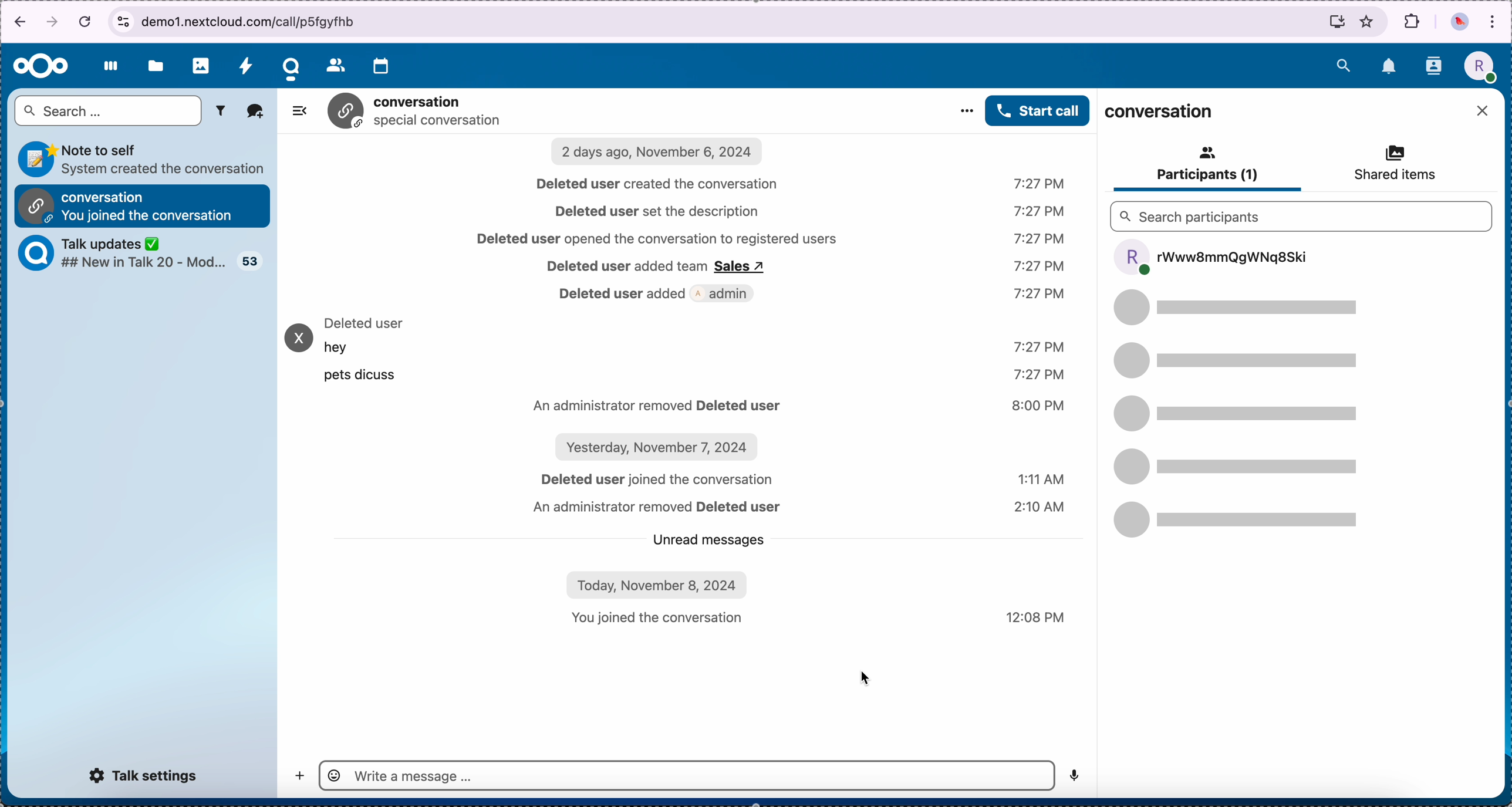 Image resolution: width=1512 pixels, height=807 pixels. I want to click on filter, so click(220, 112).